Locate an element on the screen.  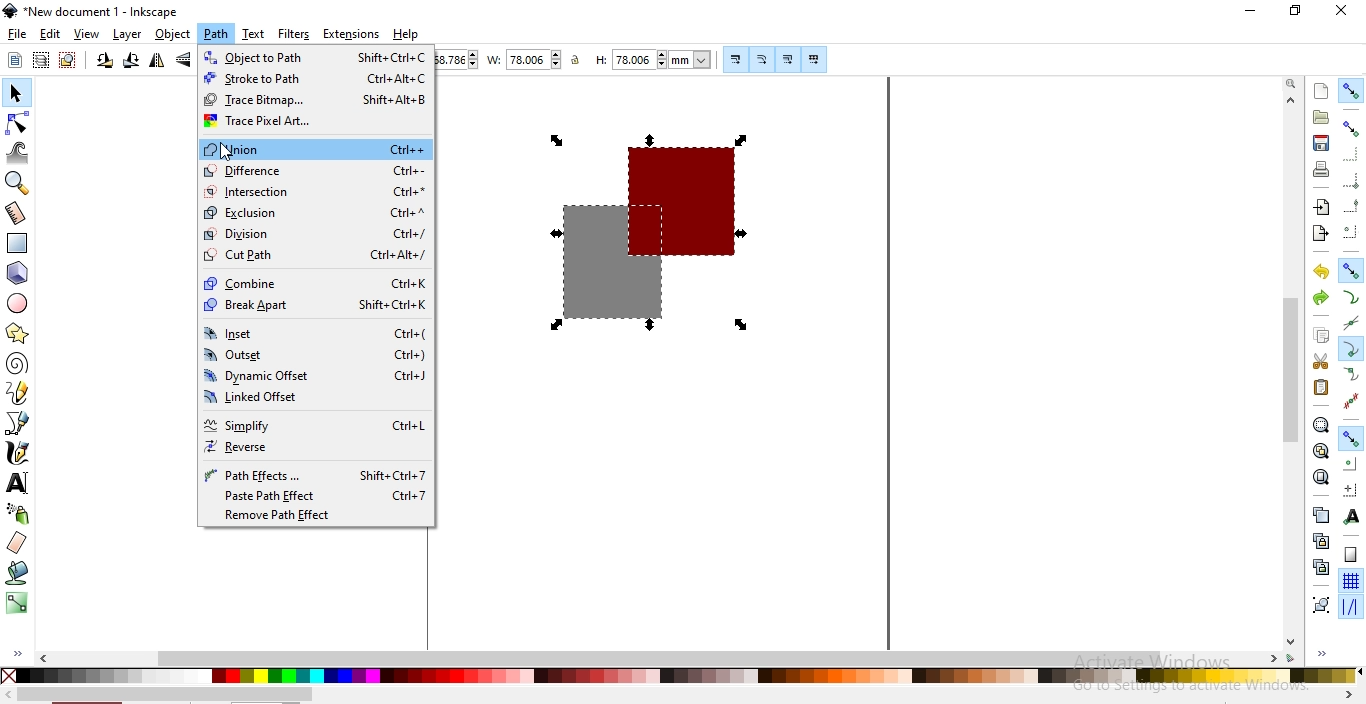
dynamic offset is located at coordinates (316, 376).